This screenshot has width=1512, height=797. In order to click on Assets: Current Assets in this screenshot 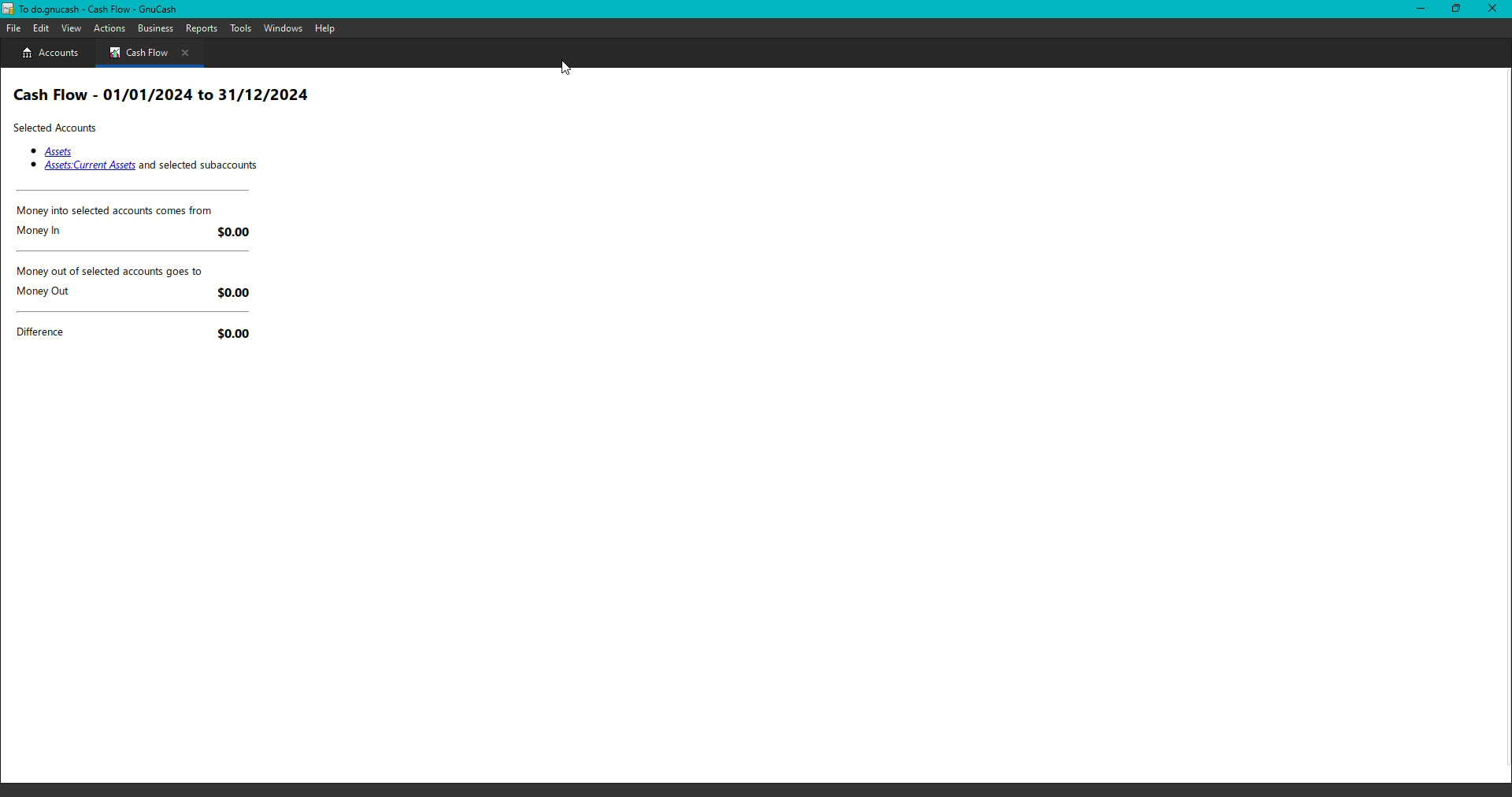, I will do `click(145, 167)`.